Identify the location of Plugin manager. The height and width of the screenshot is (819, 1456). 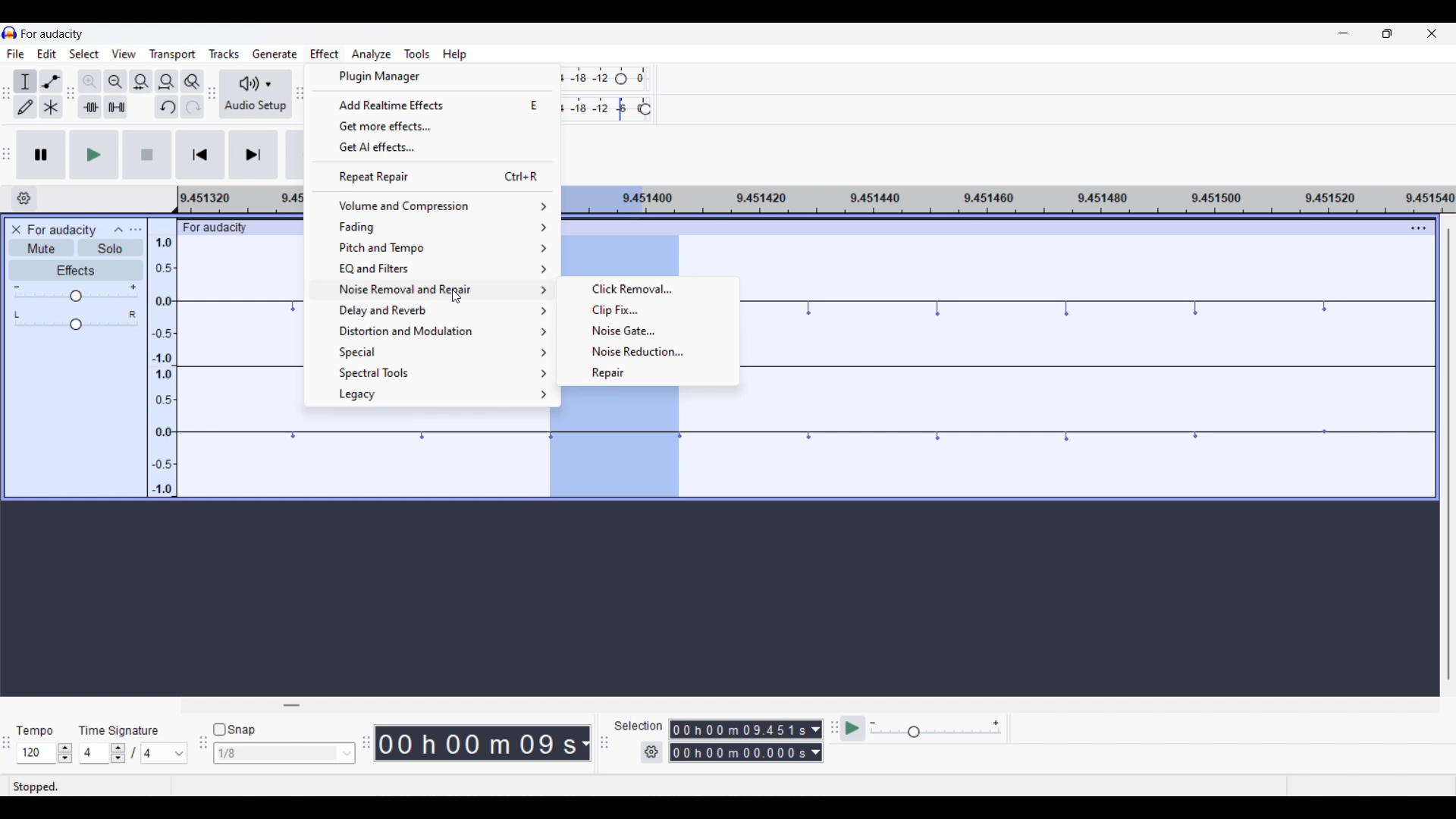
(435, 77).